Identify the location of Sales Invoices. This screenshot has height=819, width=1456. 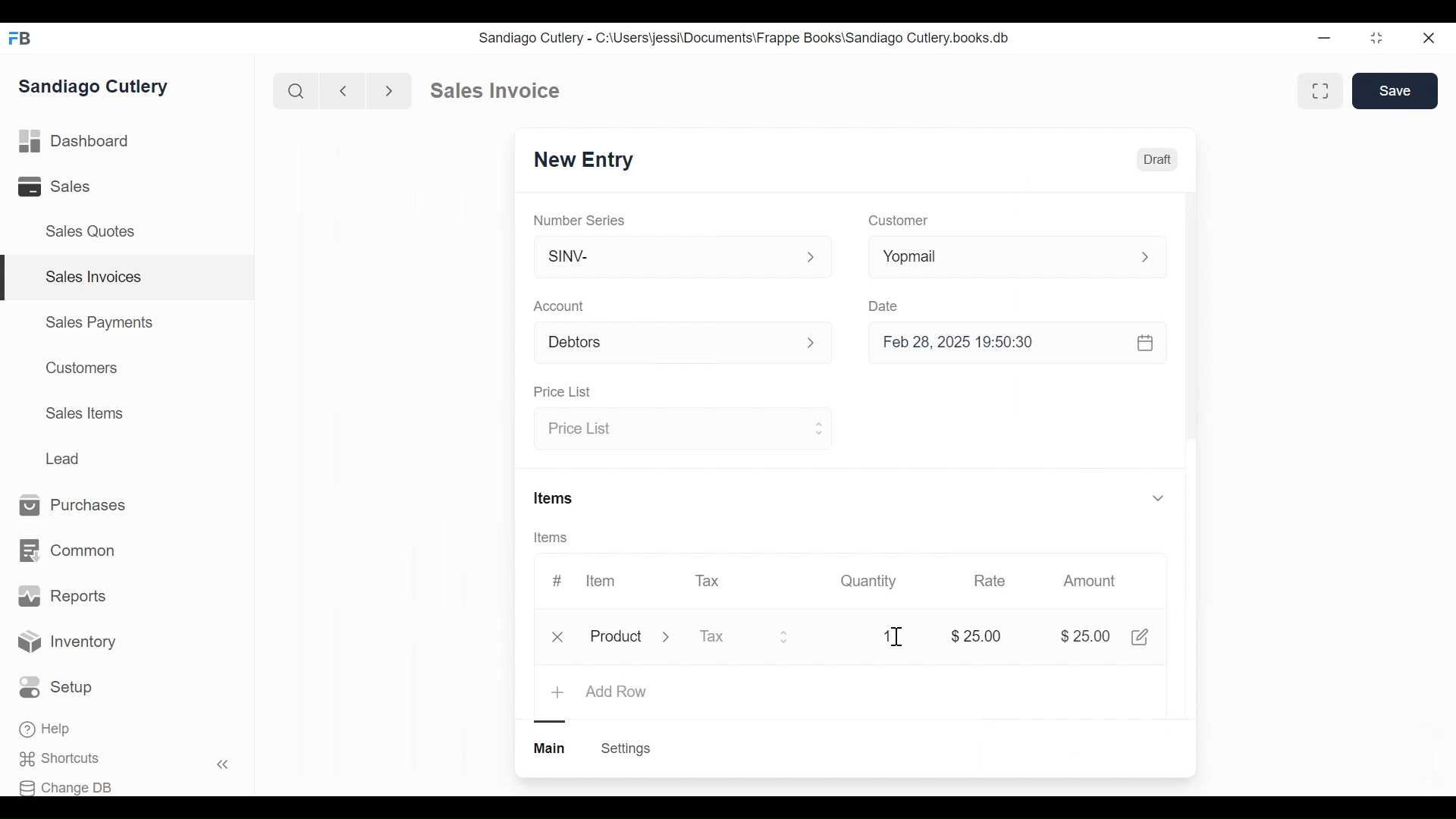
(94, 278).